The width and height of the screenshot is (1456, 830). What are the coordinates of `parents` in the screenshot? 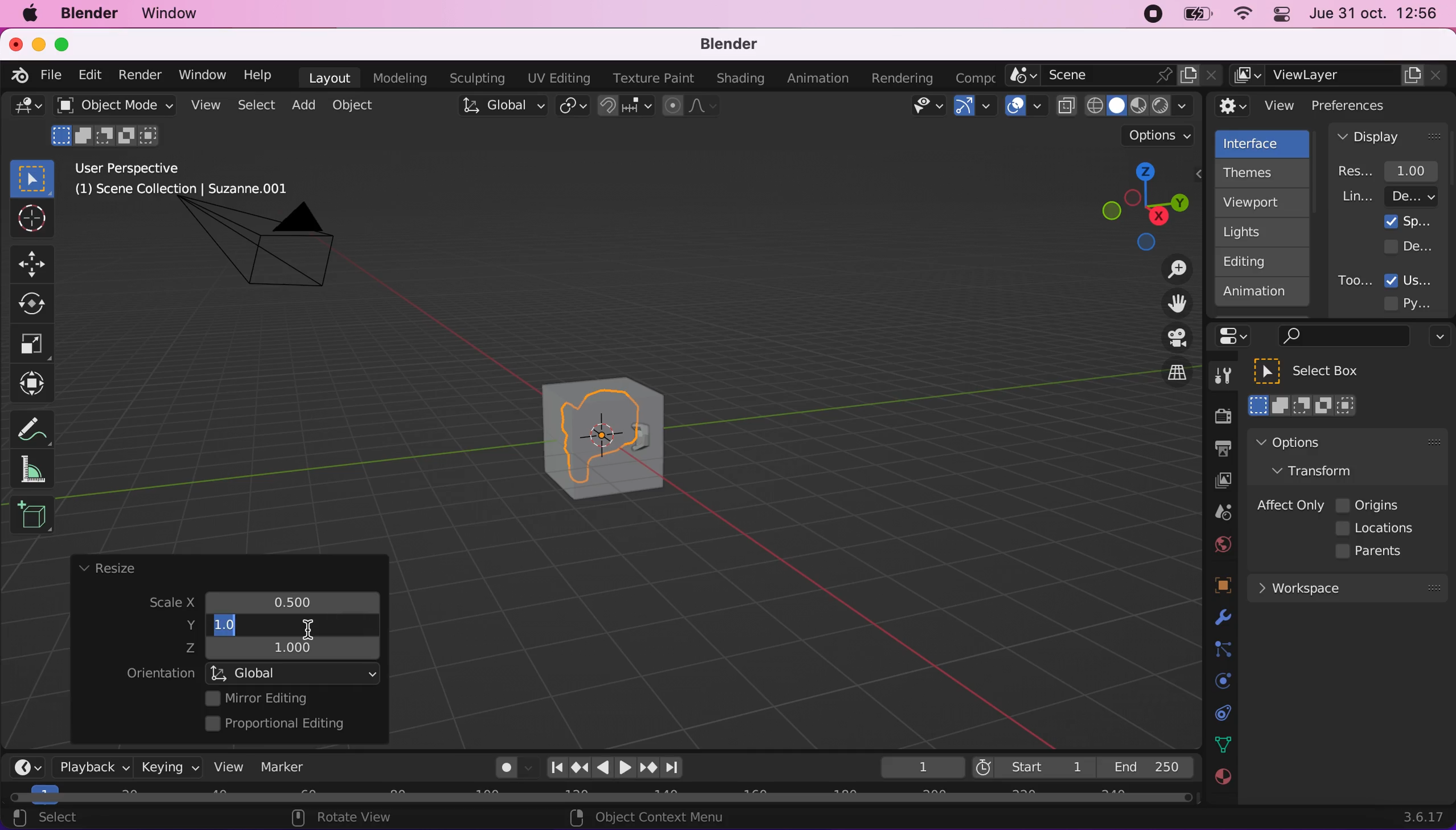 It's located at (1375, 552).